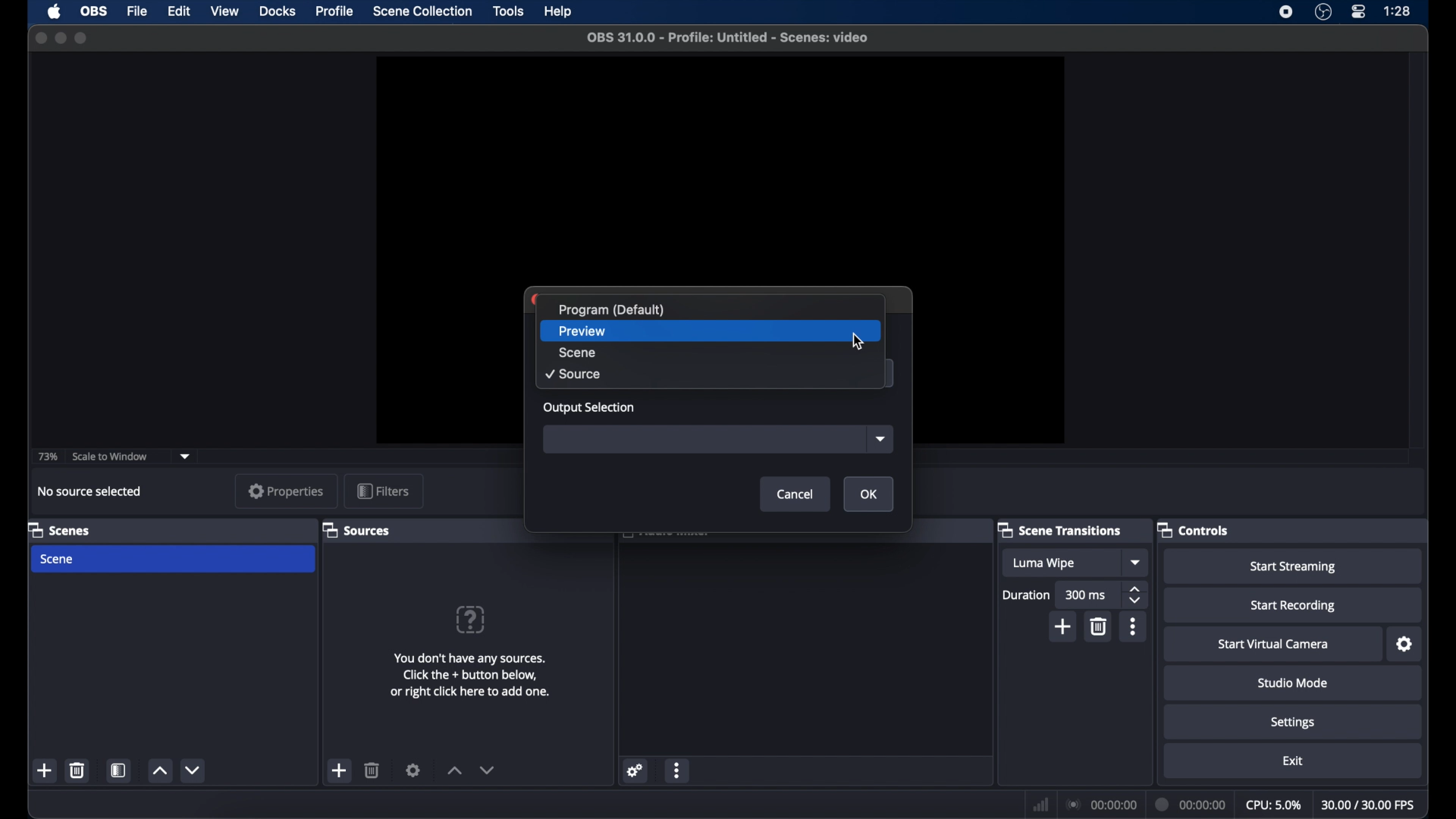  What do you see at coordinates (728, 38) in the screenshot?
I see `file name` at bounding box center [728, 38].